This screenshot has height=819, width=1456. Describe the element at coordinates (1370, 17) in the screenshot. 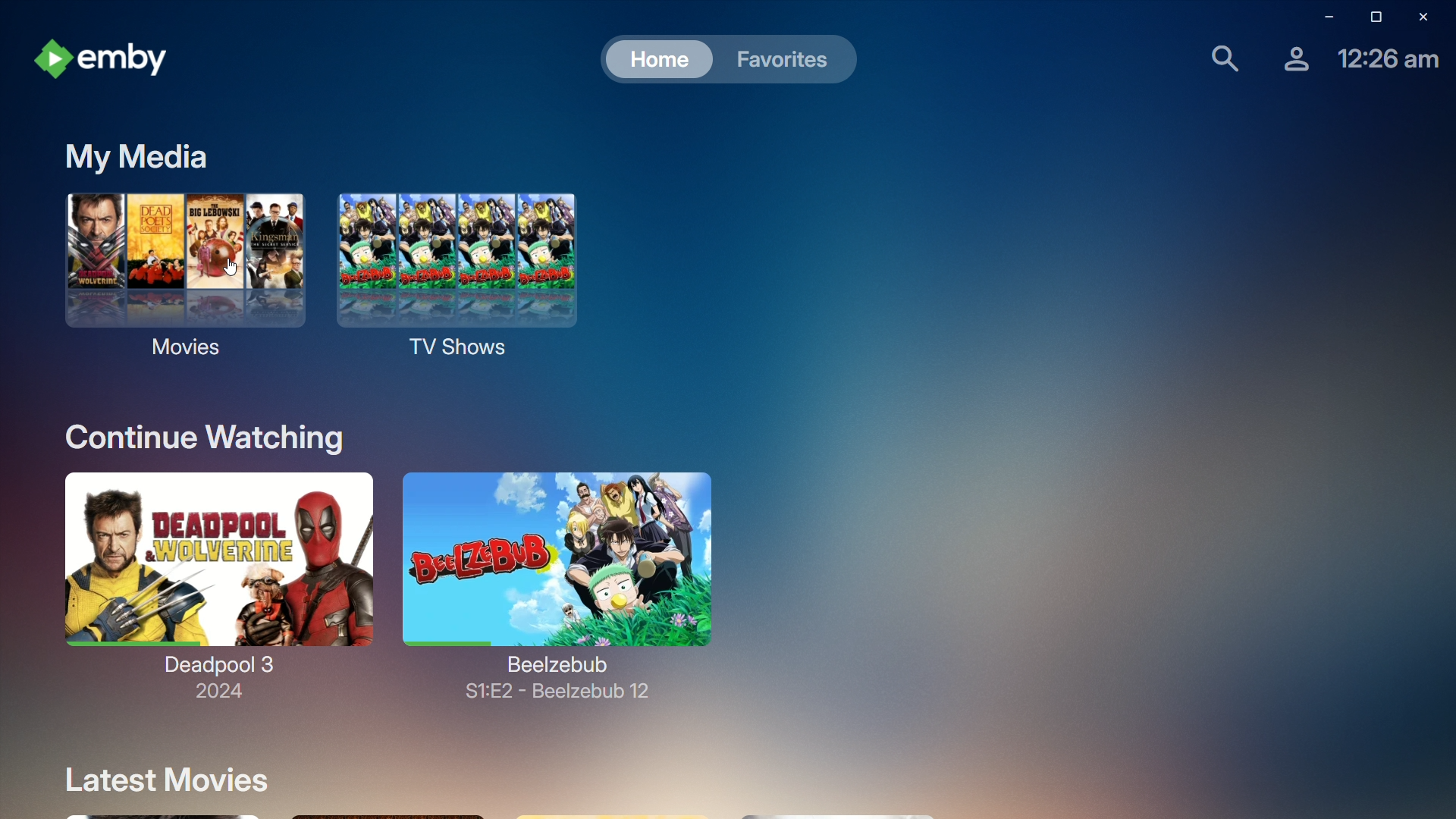

I see `Restore` at that location.